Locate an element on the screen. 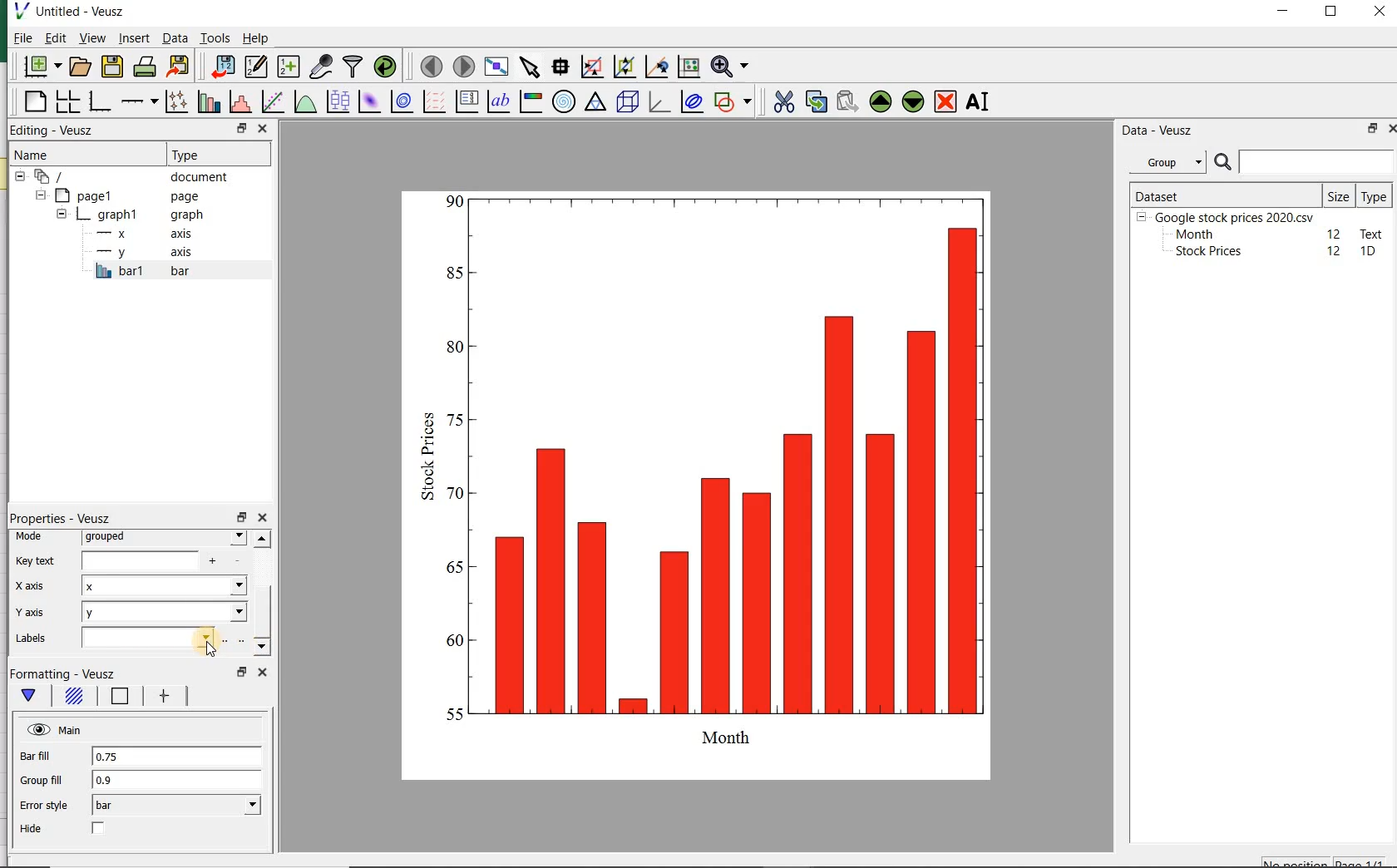  12 is located at coordinates (1335, 233).